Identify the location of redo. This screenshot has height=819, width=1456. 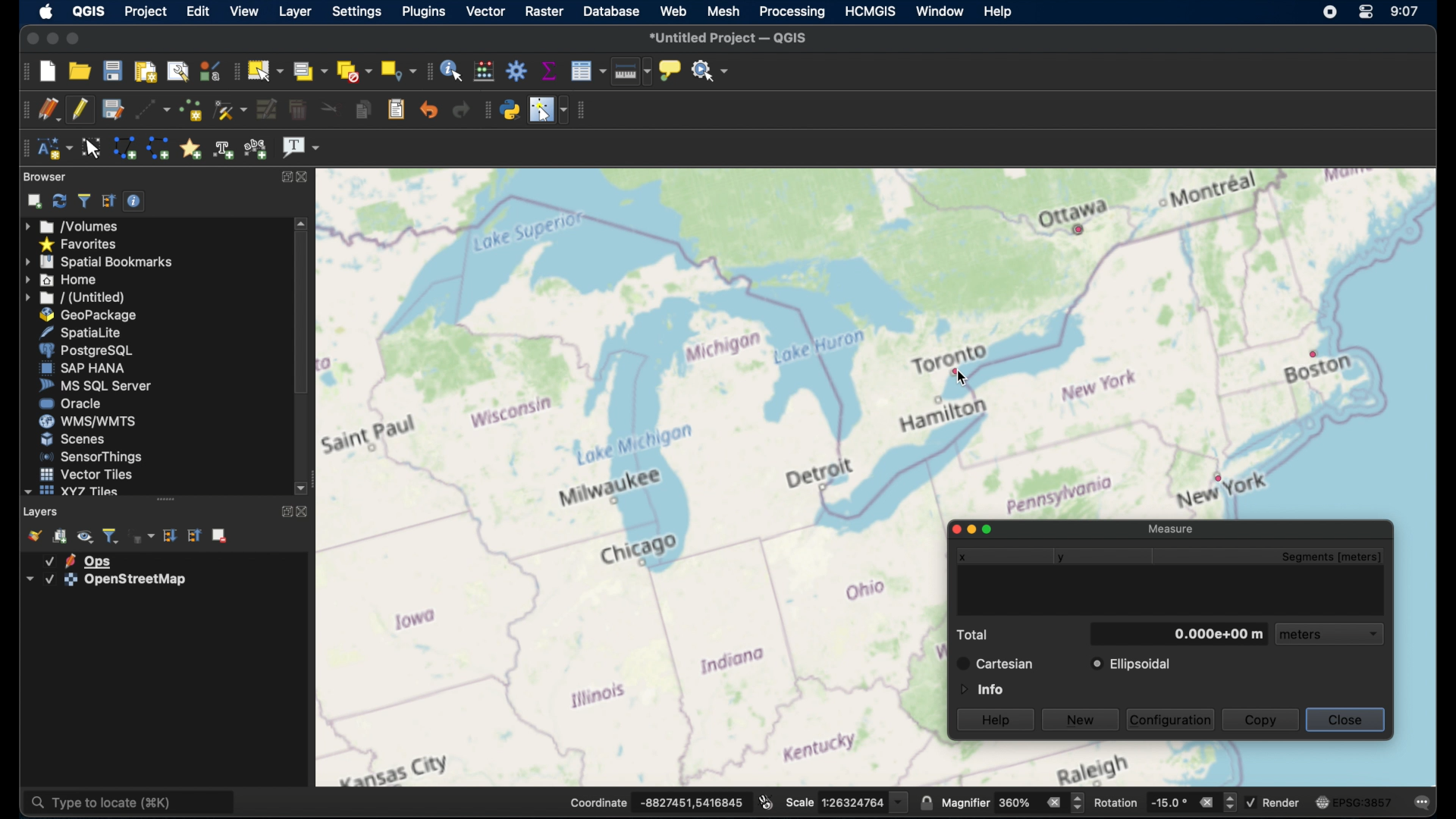
(461, 110).